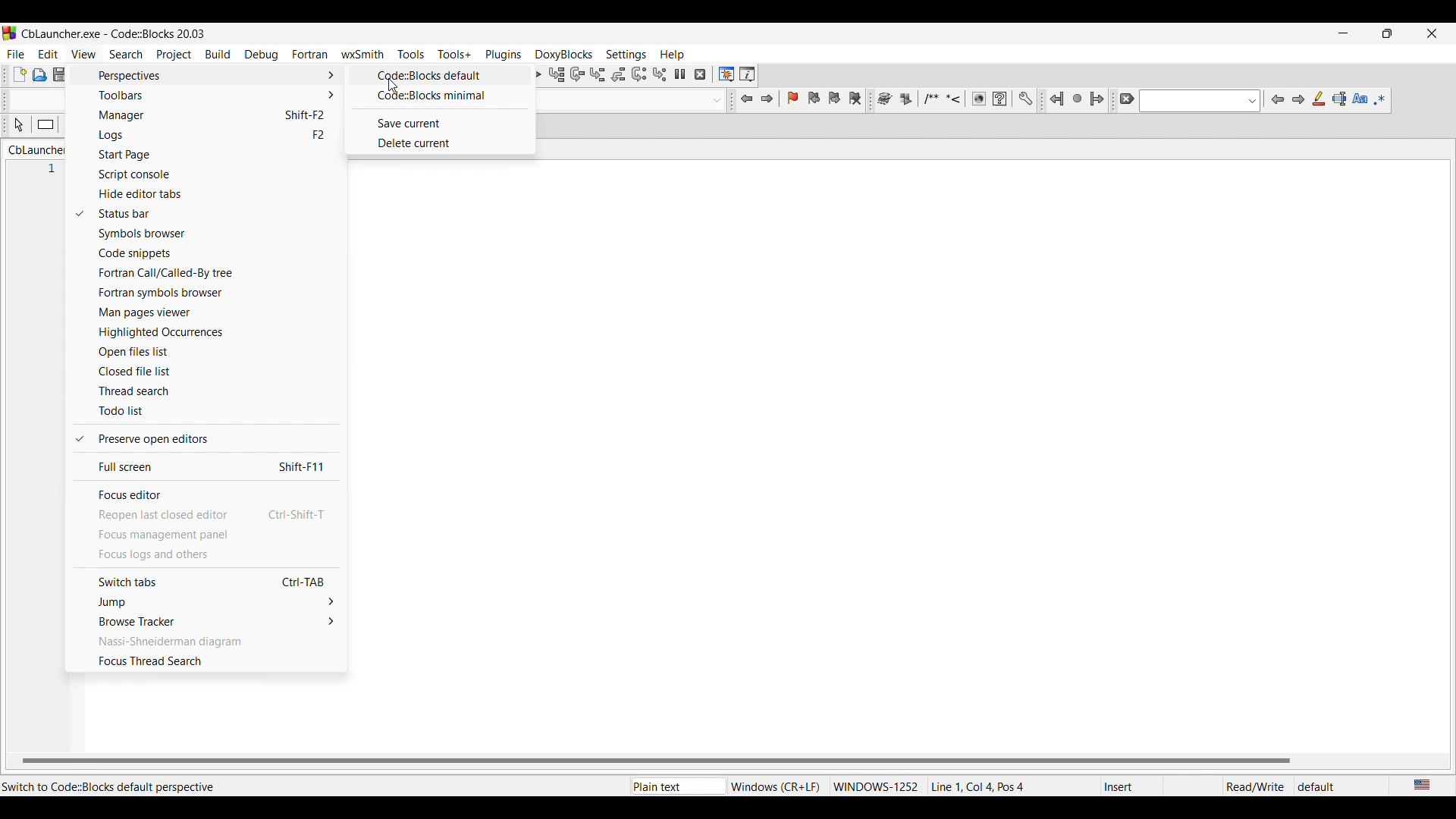 The width and height of the screenshot is (1456, 819). What do you see at coordinates (747, 74) in the screenshot?
I see `Various info` at bounding box center [747, 74].